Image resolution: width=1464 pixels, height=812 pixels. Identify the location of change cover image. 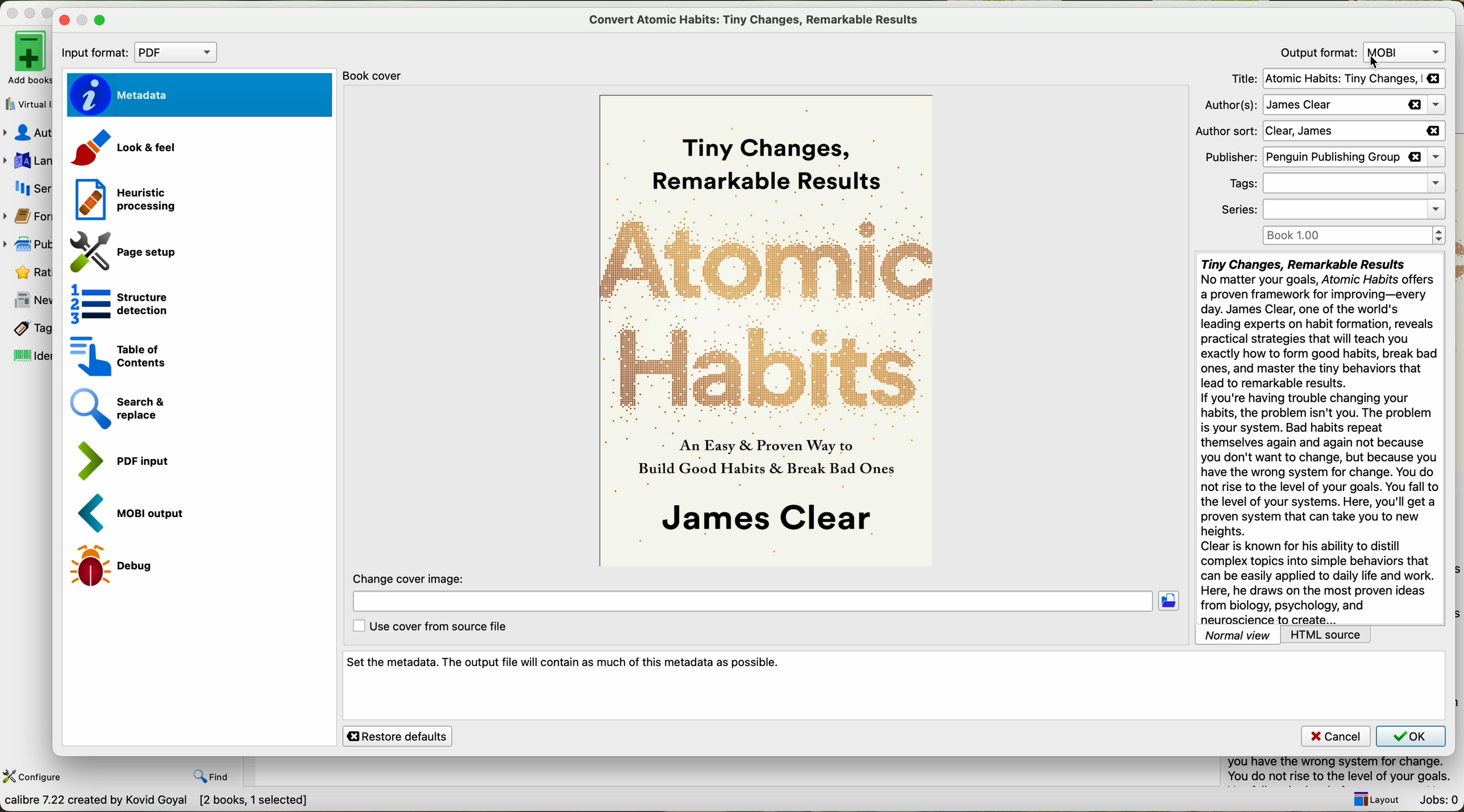
(765, 593).